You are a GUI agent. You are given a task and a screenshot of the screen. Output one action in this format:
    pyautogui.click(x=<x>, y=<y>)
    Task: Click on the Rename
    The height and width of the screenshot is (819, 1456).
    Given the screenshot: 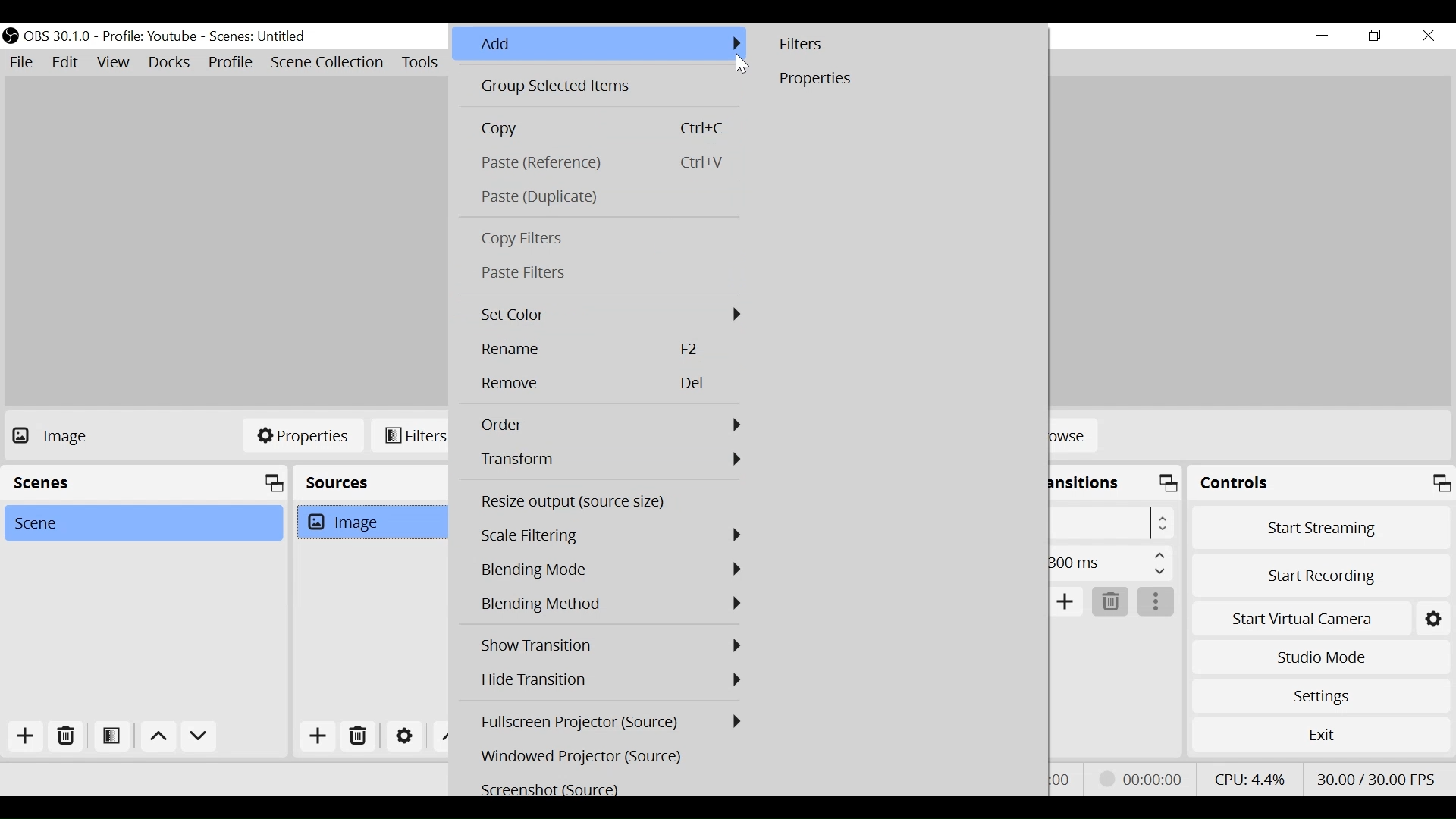 What is the action you would take?
    pyautogui.click(x=607, y=350)
    